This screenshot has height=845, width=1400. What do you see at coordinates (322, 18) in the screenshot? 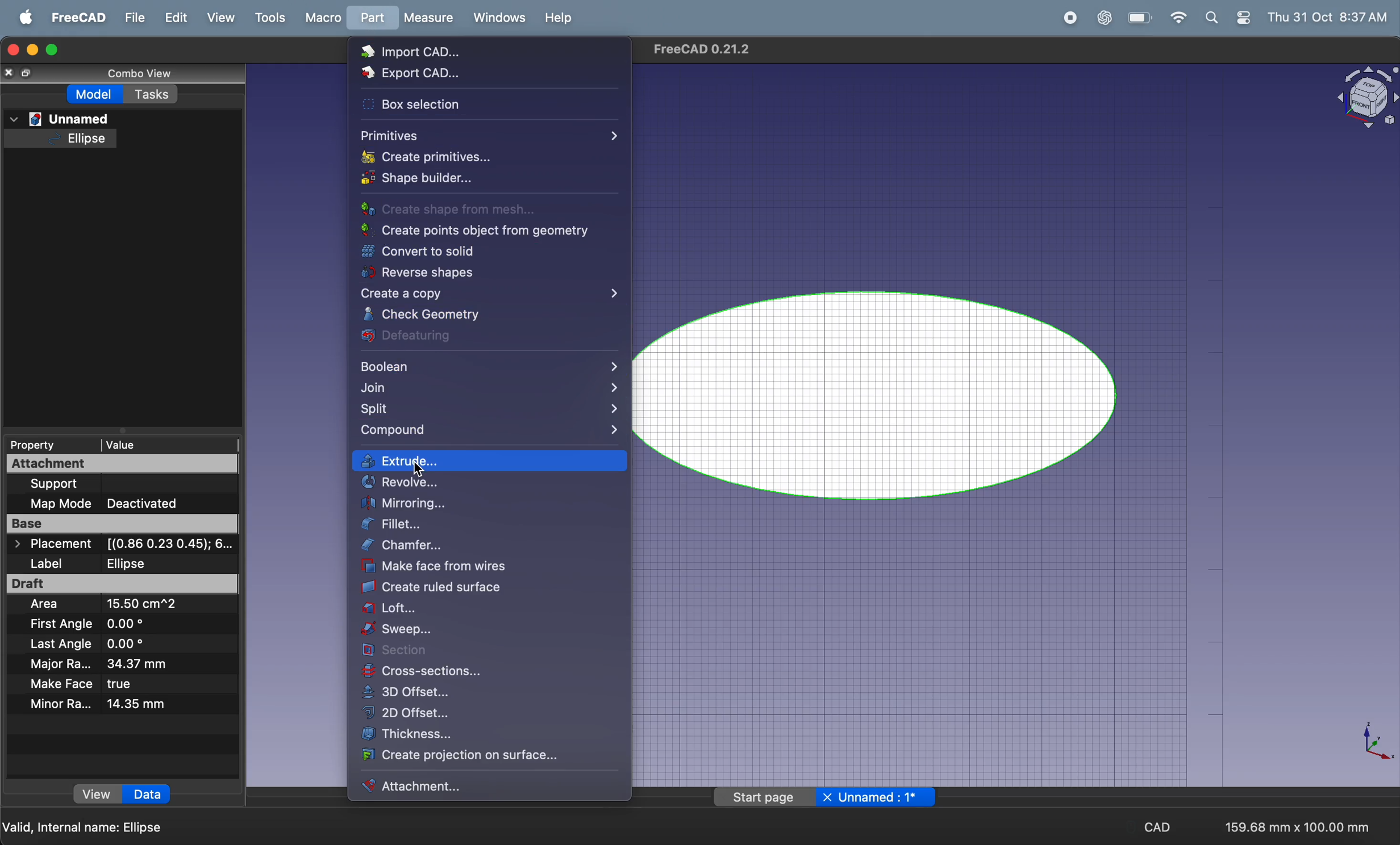
I see `marco` at bounding box center [322, 18].